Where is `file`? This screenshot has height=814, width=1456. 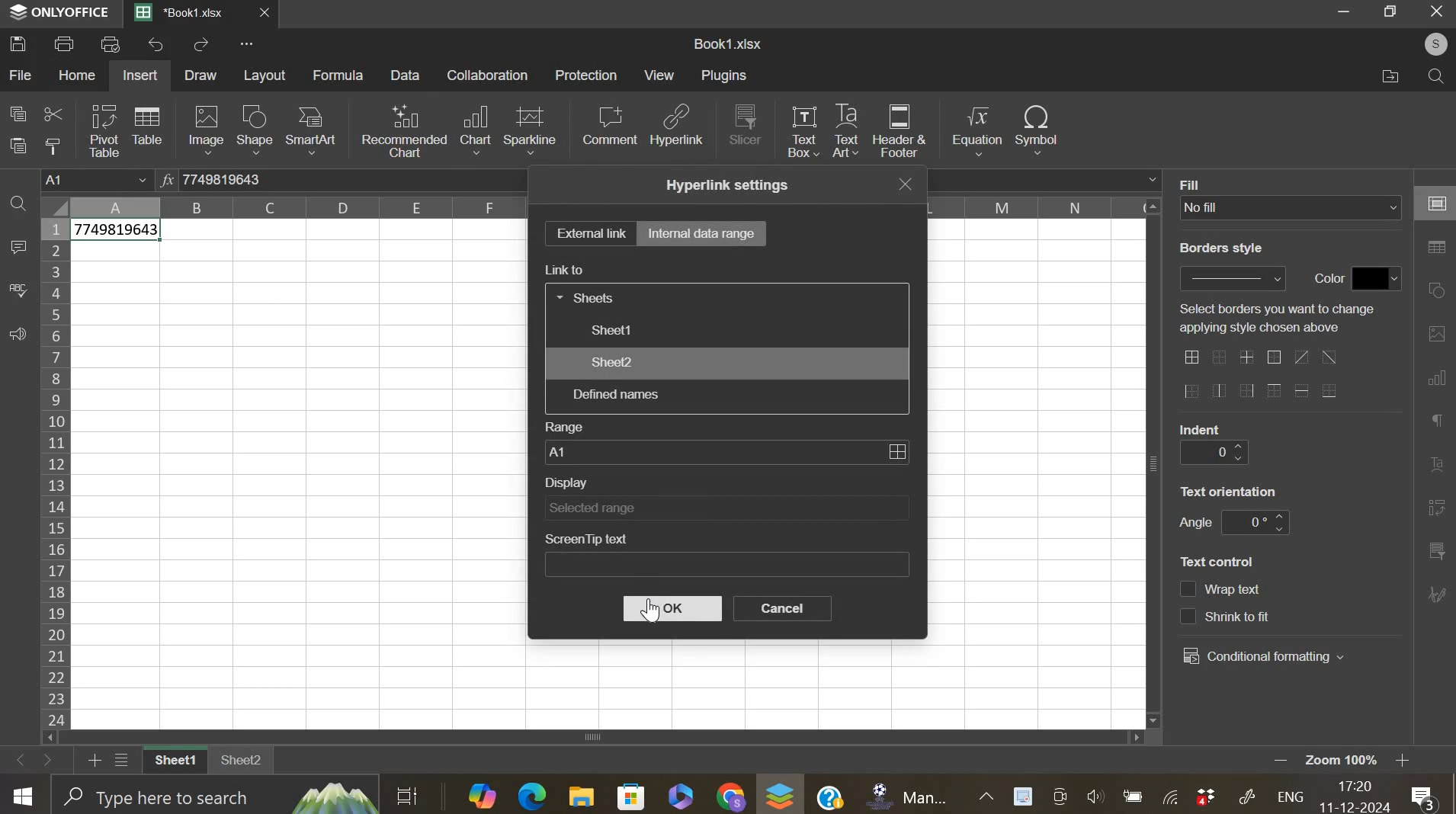
file is located at coordinates (21, 75).